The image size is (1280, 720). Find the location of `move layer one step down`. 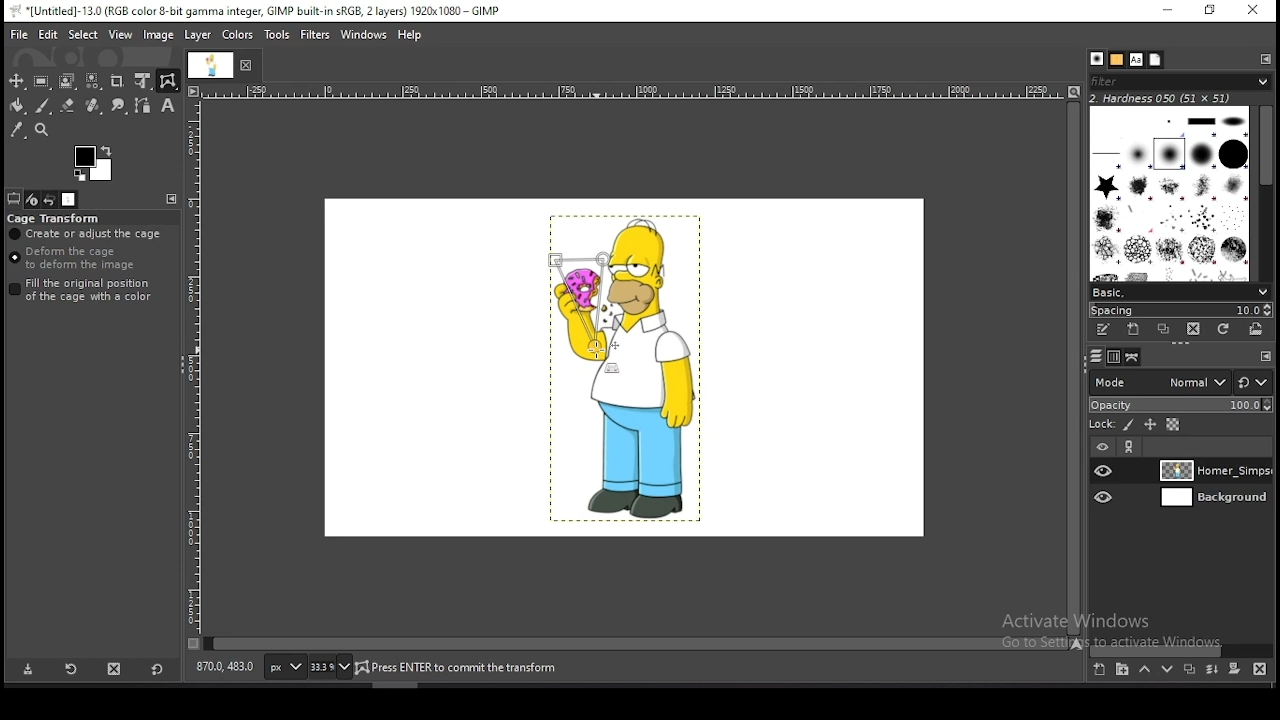

move layer one step down is located at coordinates (1168, 671).